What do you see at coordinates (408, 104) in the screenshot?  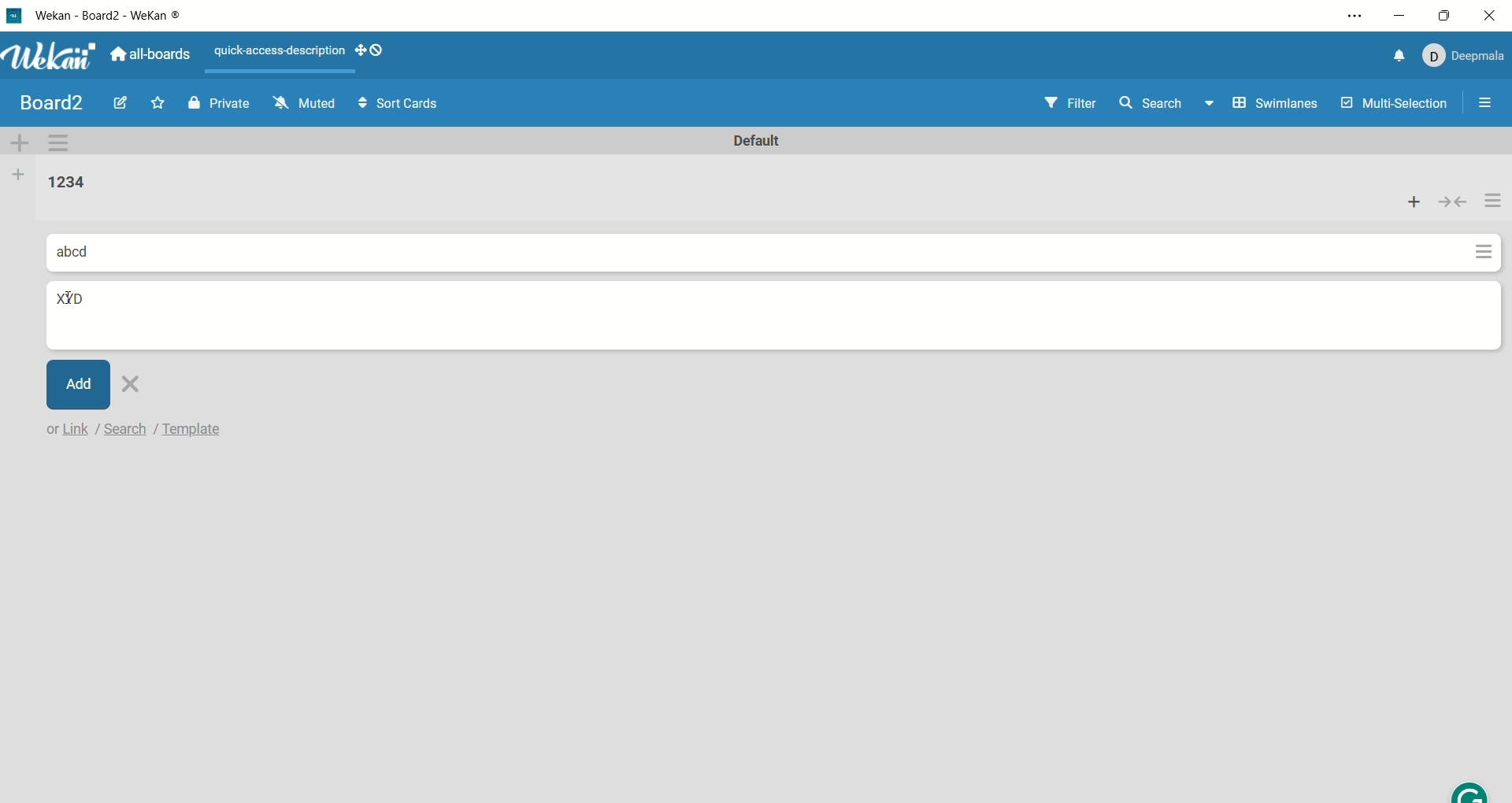 I see `sort cards` at bounding box center [408, 104].